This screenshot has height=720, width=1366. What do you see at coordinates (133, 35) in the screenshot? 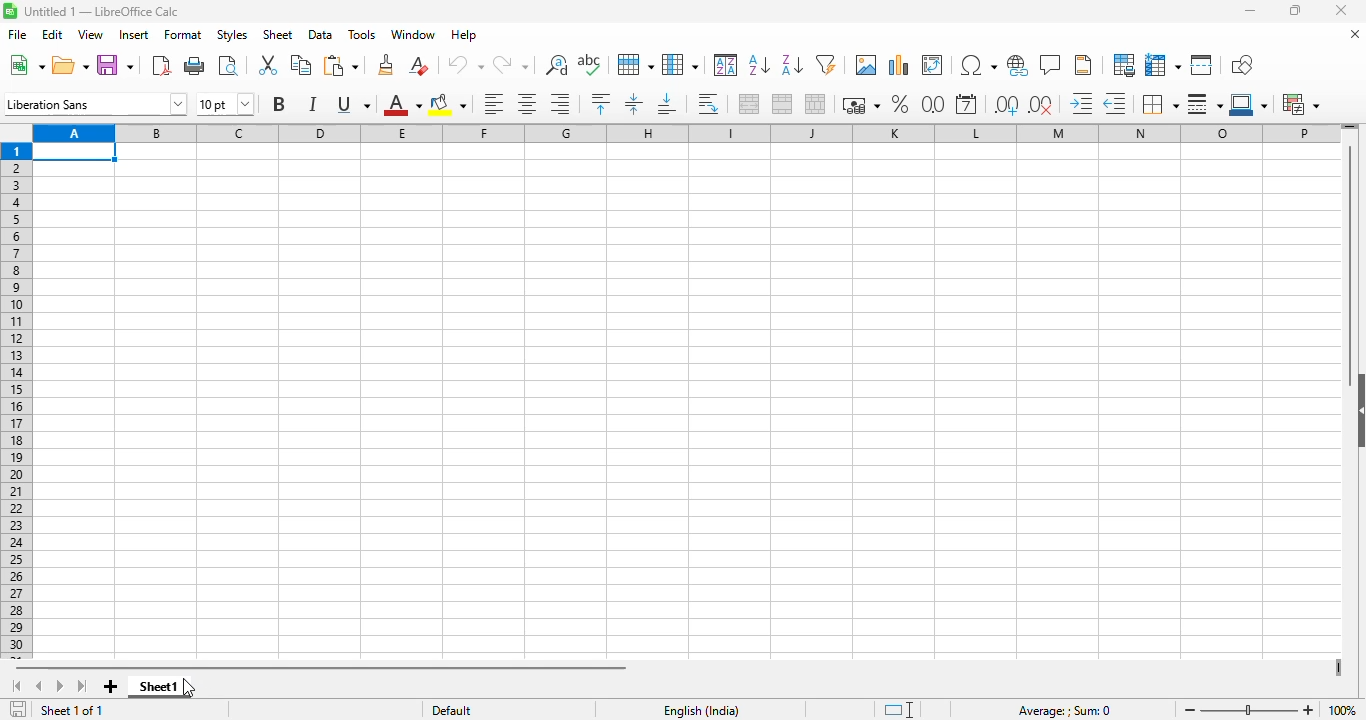
I see `insert` at bounding box center [133, 35].